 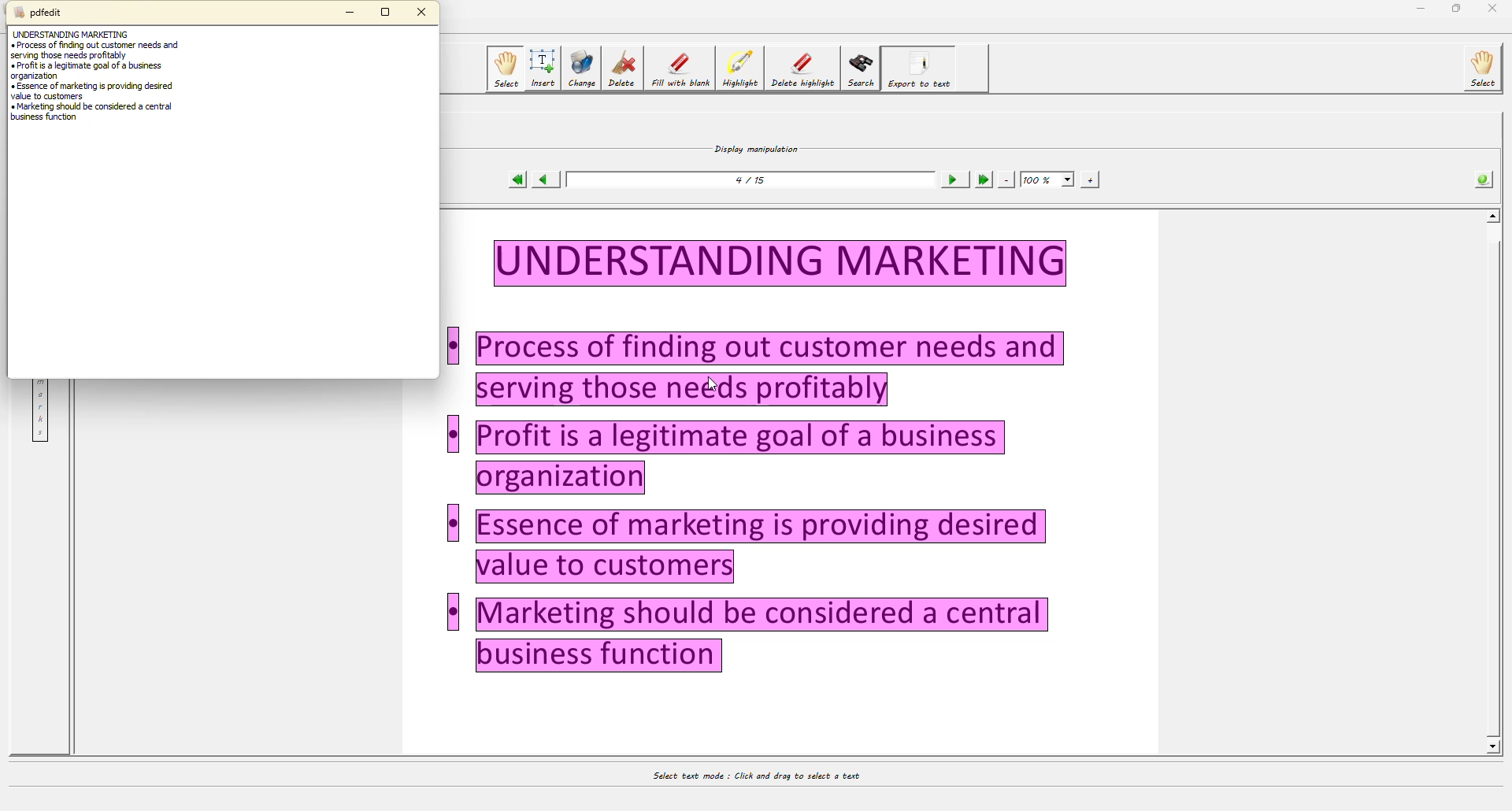 What do you see at coordinates (387, 14) in the screenshot?
I see `maximize` at bounding box center [387, 14].